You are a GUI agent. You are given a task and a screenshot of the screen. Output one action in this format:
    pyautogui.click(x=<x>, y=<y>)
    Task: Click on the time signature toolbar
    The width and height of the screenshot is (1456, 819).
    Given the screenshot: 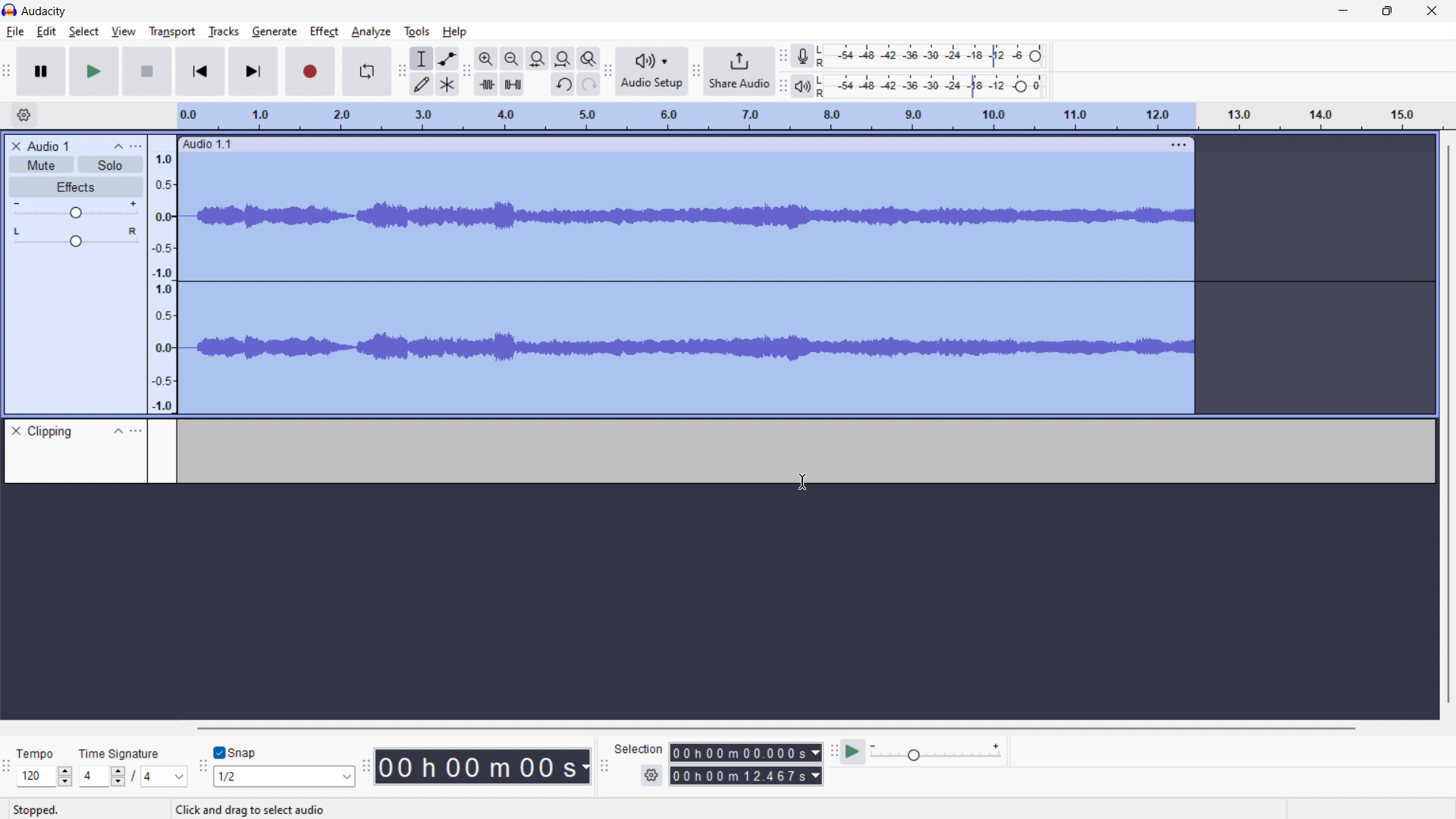 What is the action you would take?
    pyautogui.click(x=10, y=764)
    